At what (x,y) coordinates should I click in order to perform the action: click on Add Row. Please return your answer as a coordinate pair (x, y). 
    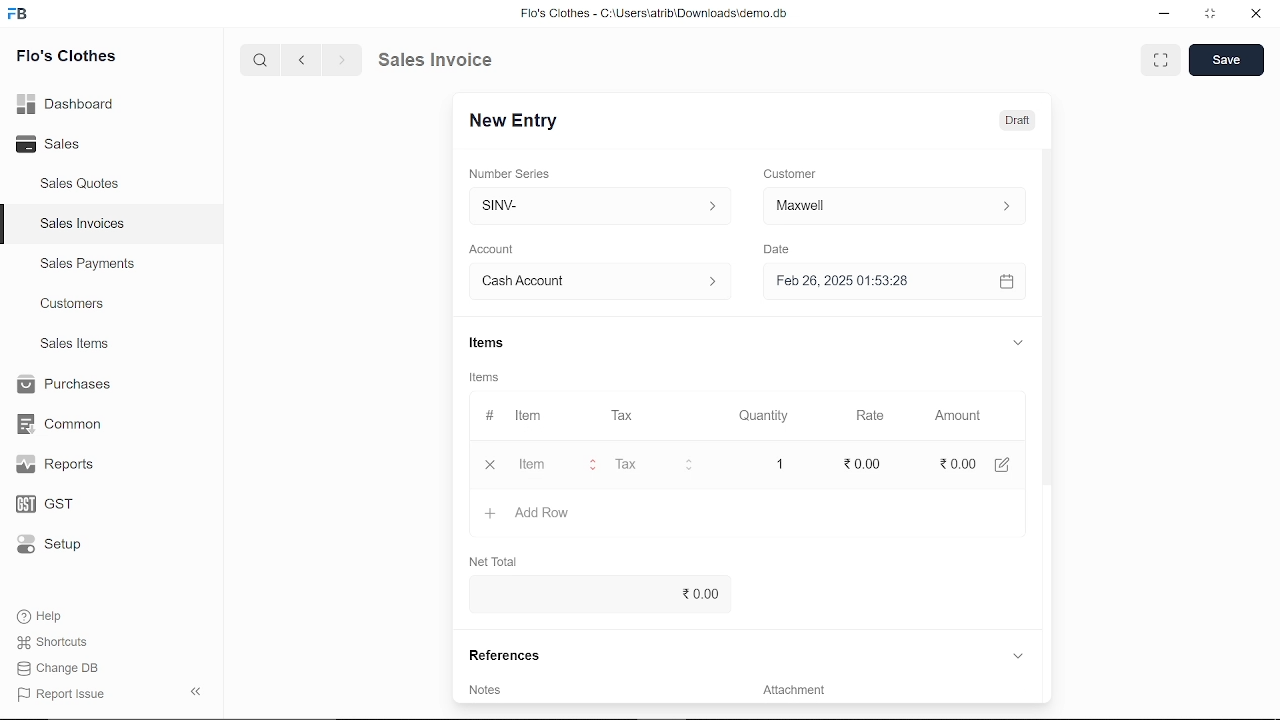
    Looking at the image, I should click on (529, 514).